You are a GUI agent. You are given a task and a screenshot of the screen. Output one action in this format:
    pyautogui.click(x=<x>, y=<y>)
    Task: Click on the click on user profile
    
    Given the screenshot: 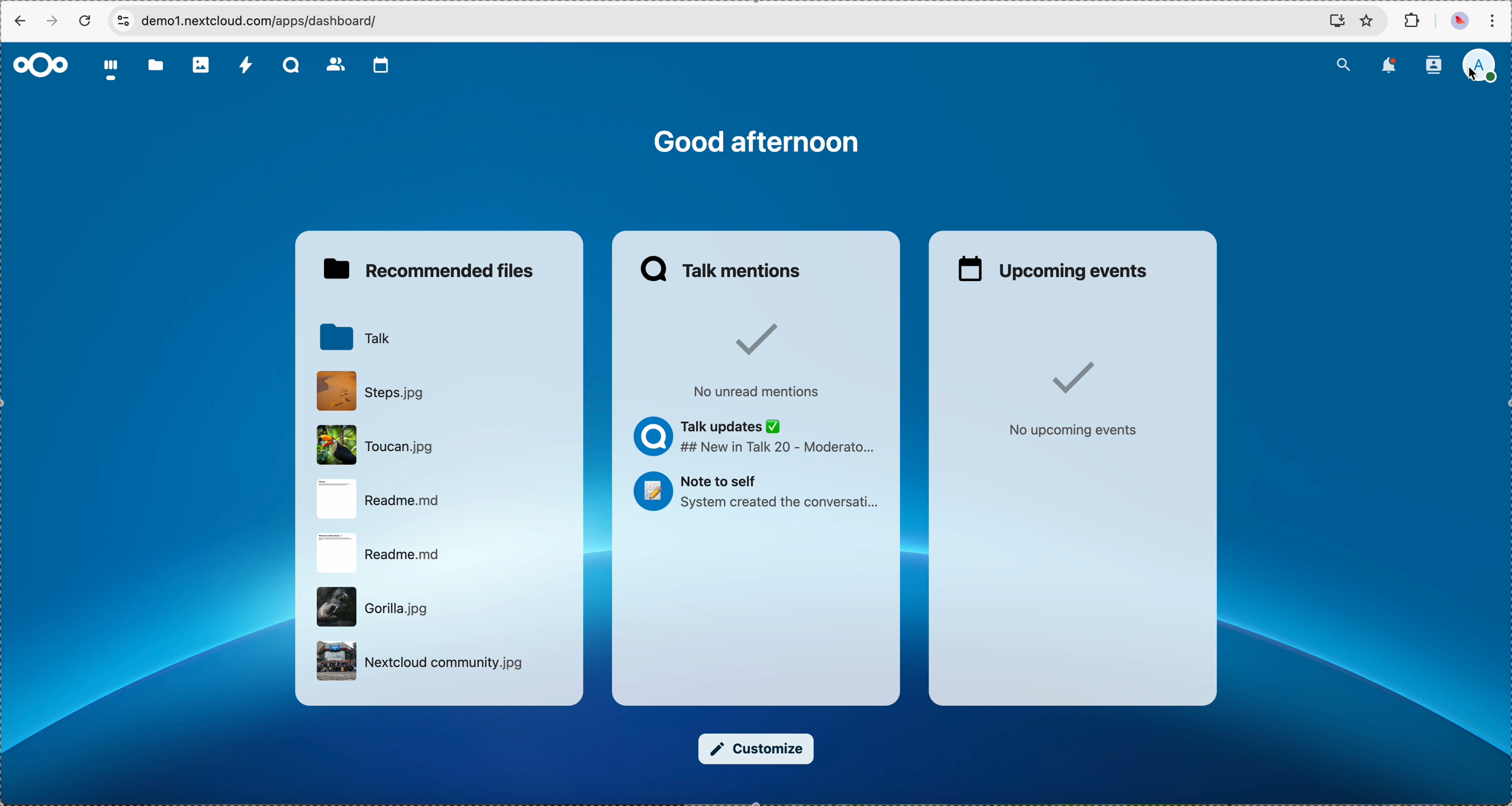 What is the action you would take?
    pyautogui.click(x=1484, y=67)
    